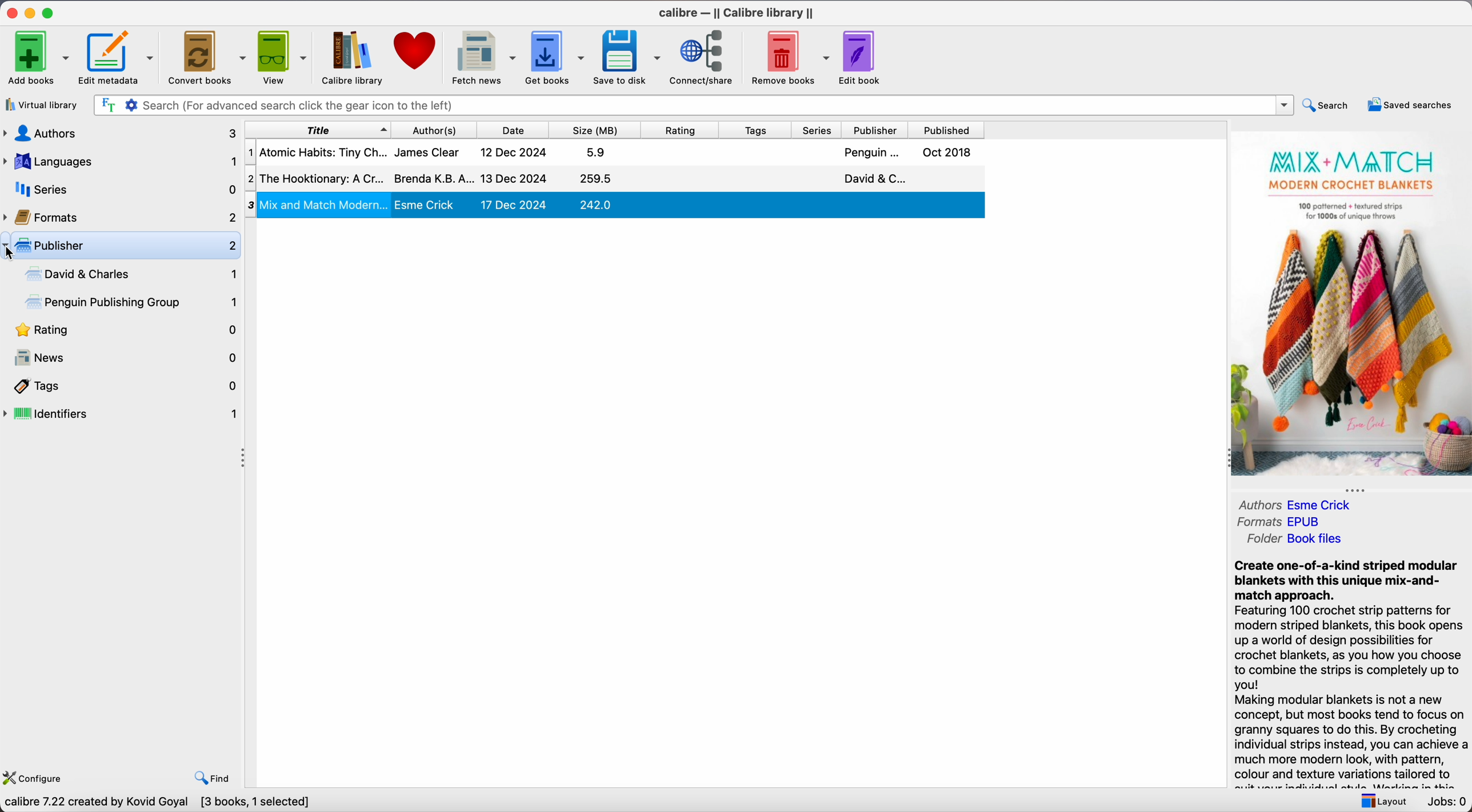  What do you see at coordinates (122, 358) in the screenshot?
I see `news` at bounding box center [122, 358].